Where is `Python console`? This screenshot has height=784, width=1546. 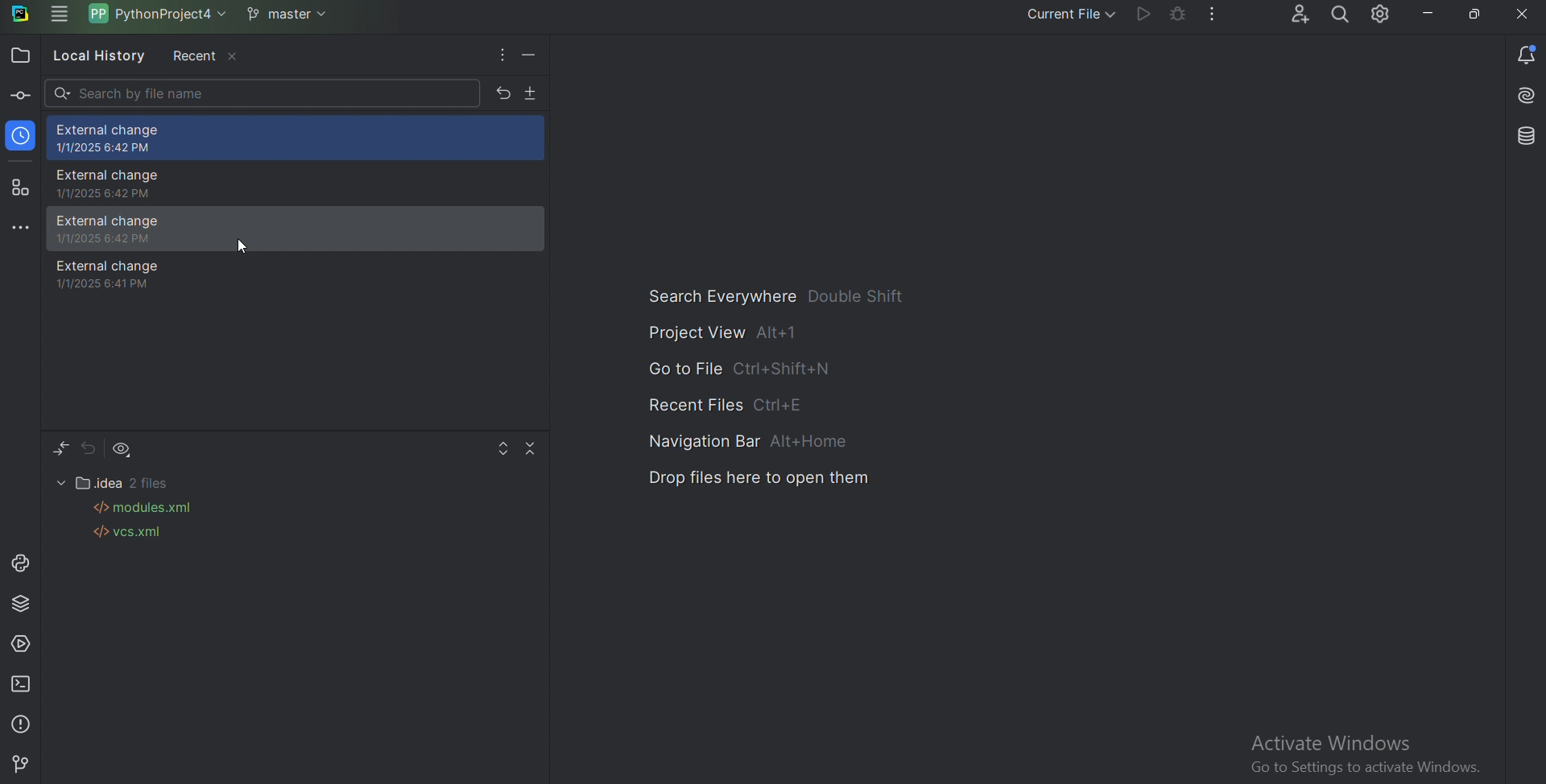 Python console is located at coordinates (20, 563).